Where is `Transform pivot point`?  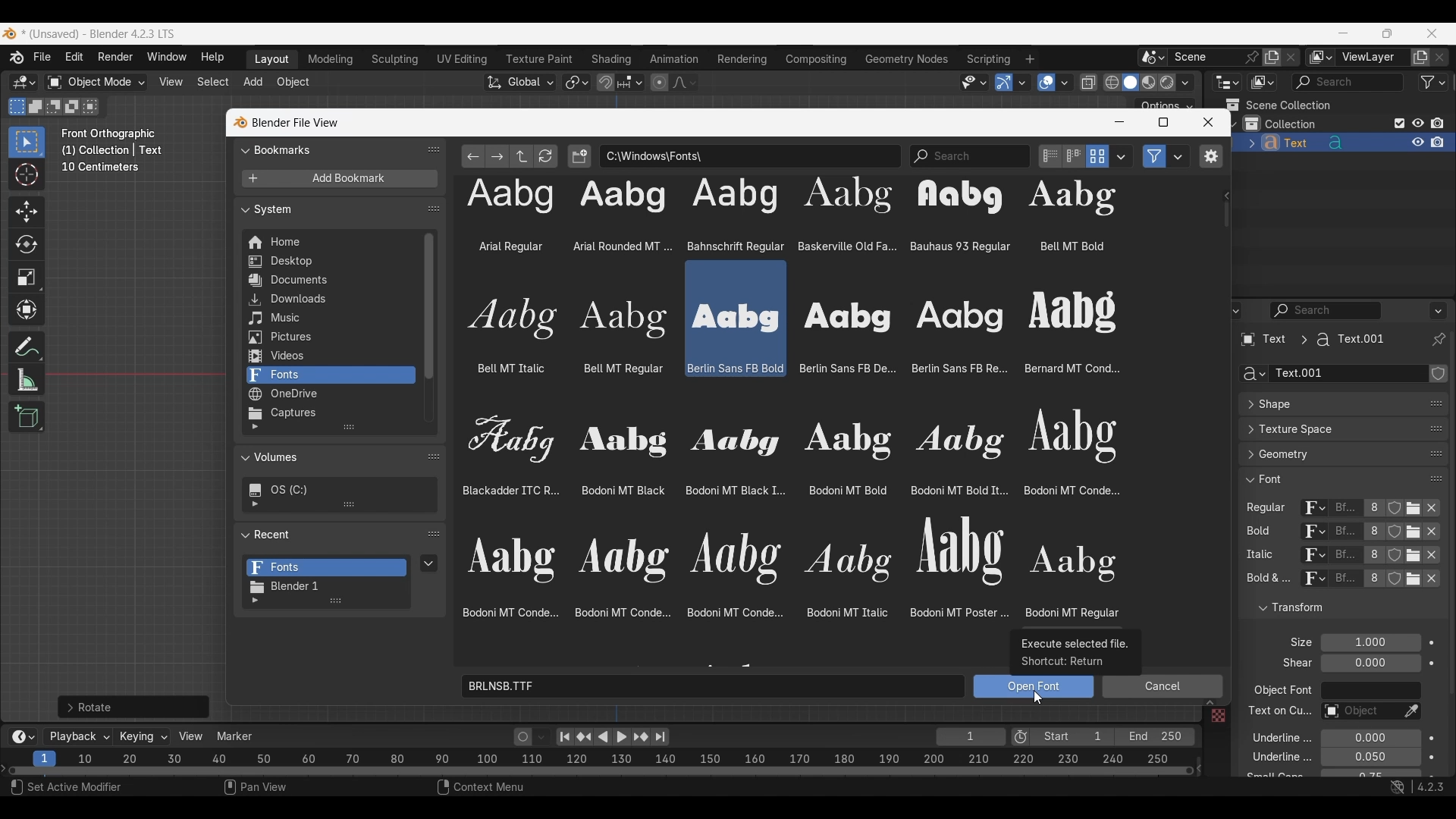 Transform pivot point is located at coordinates (576, 83).